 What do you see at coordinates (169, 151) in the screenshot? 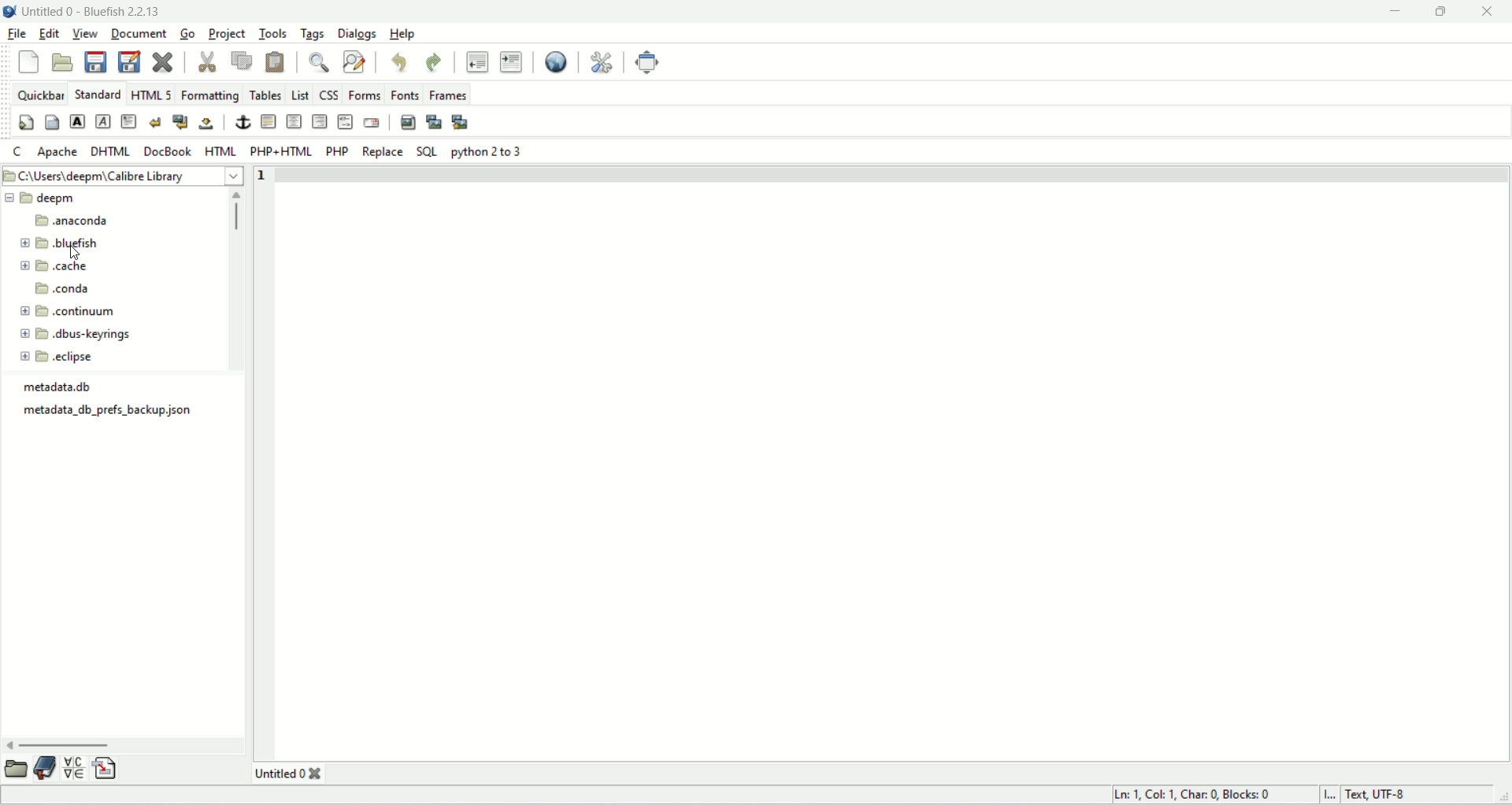
I see `DOCBOOK` at bounding box center [169, 151].